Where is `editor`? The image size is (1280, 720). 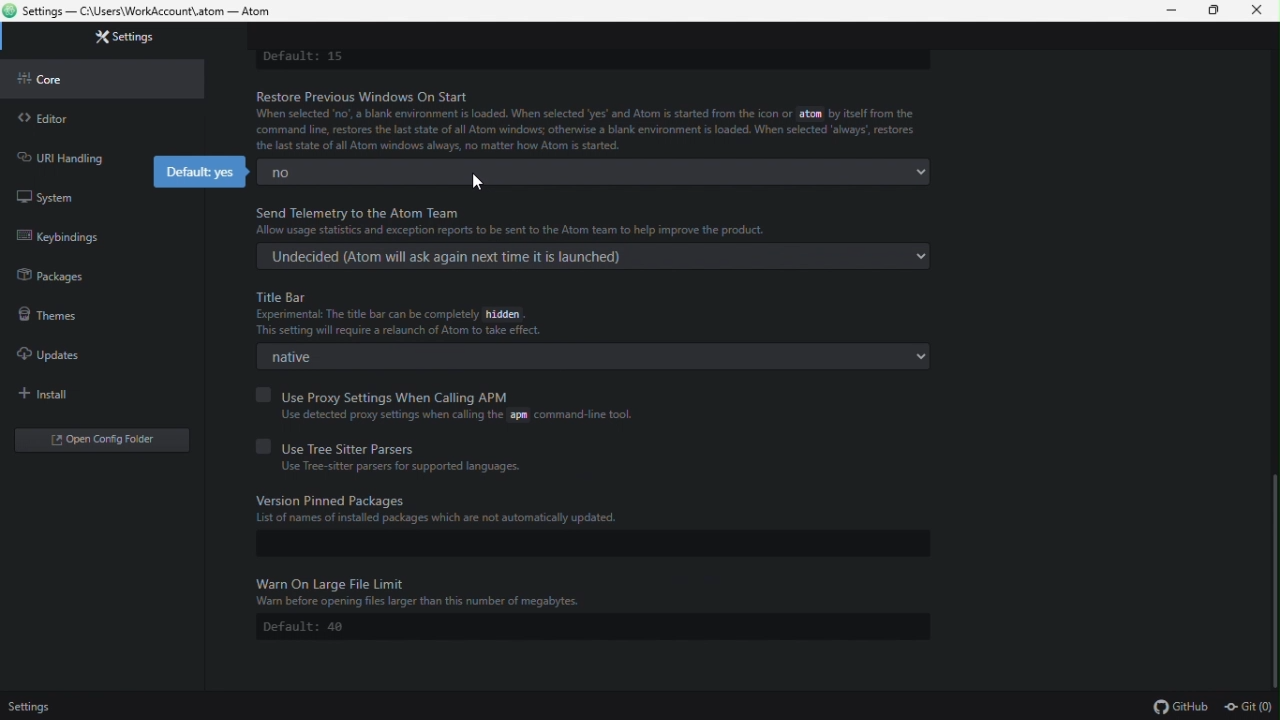
editor is located at coordinates (96, 118).